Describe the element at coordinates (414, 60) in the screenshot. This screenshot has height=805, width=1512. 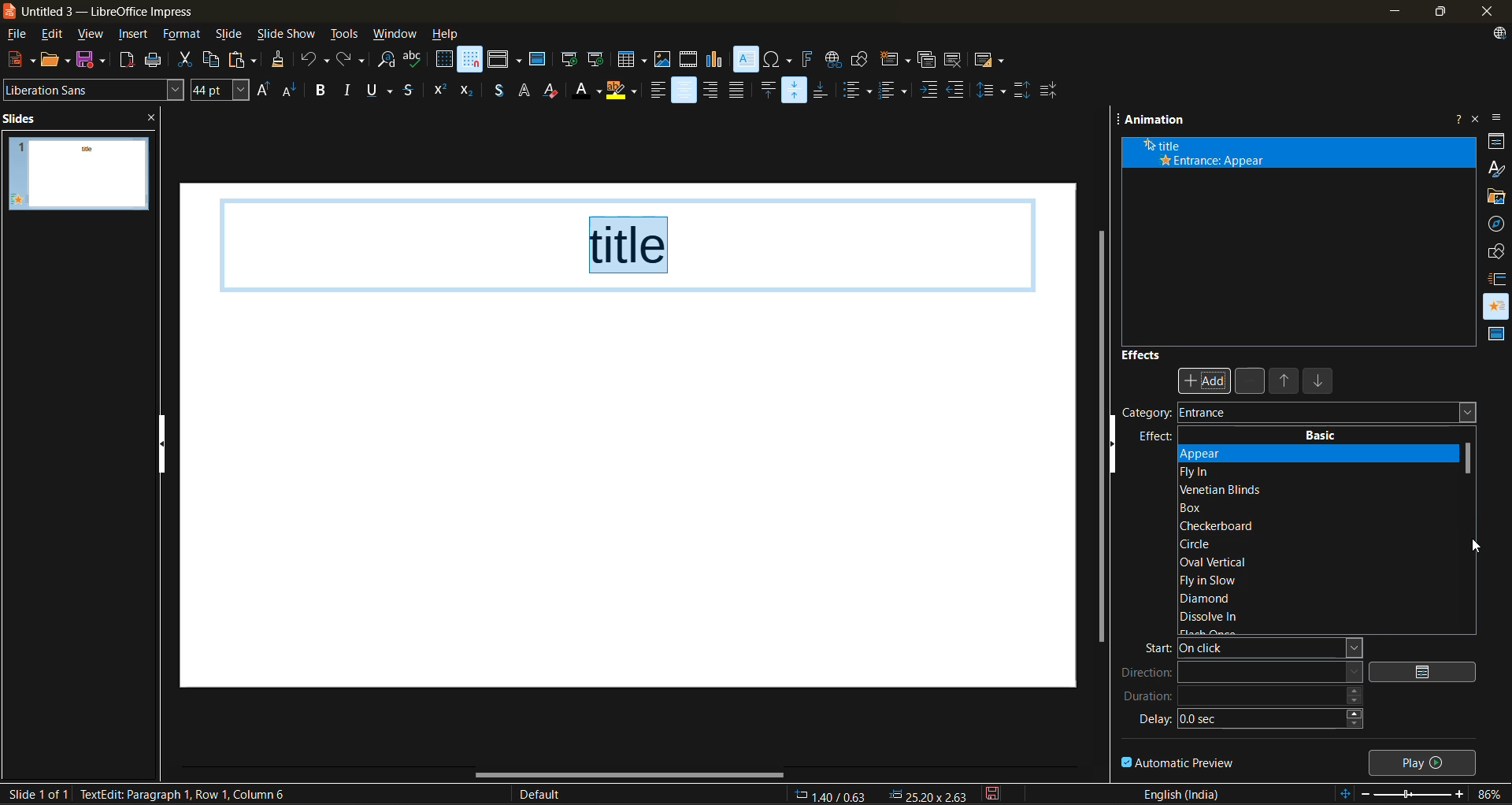
I see `spelling` at that location.